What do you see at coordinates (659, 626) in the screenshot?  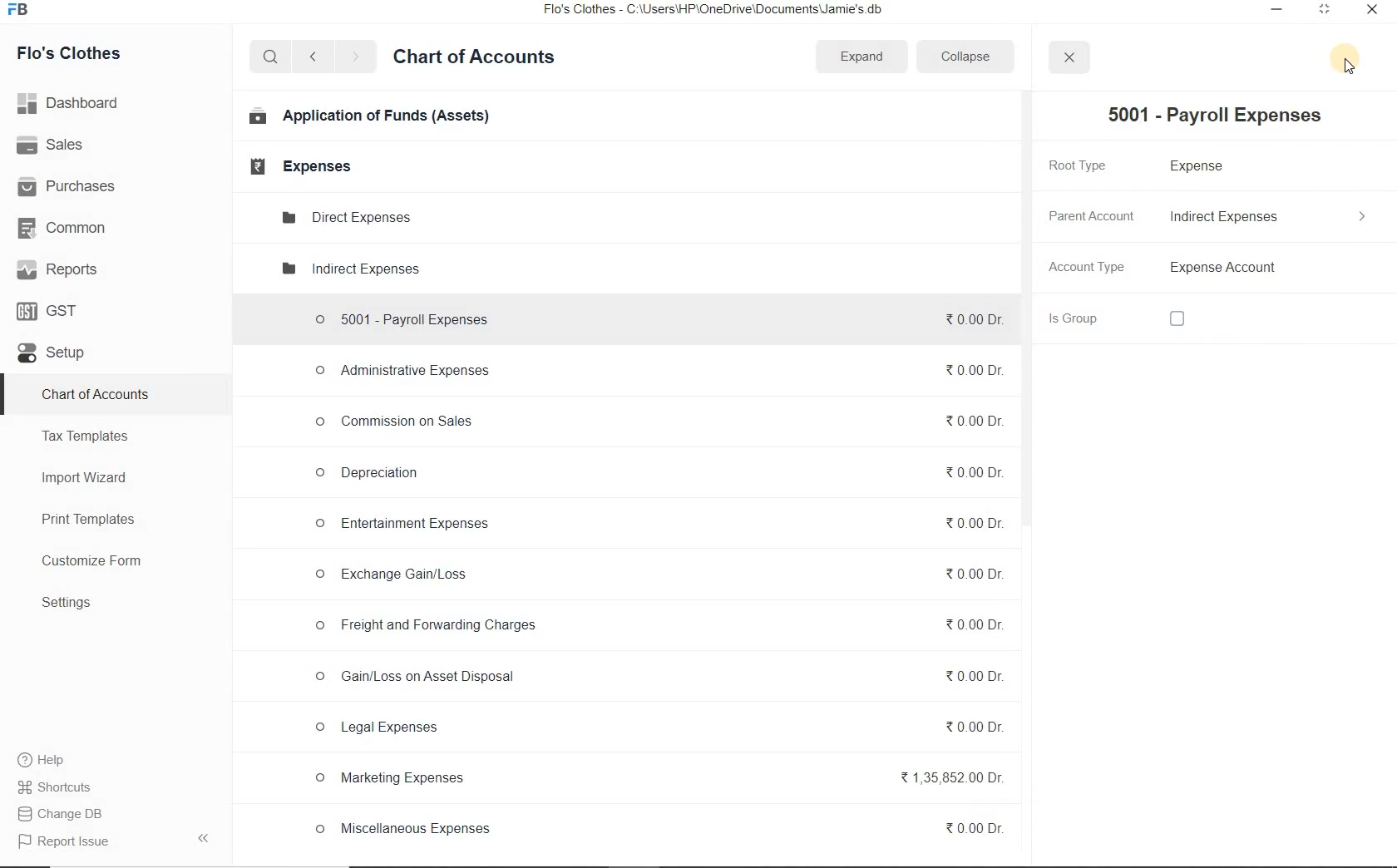 I see `© Freight and Forwarding Charges 0.00 Dr.` at bounding box center [659, 626].